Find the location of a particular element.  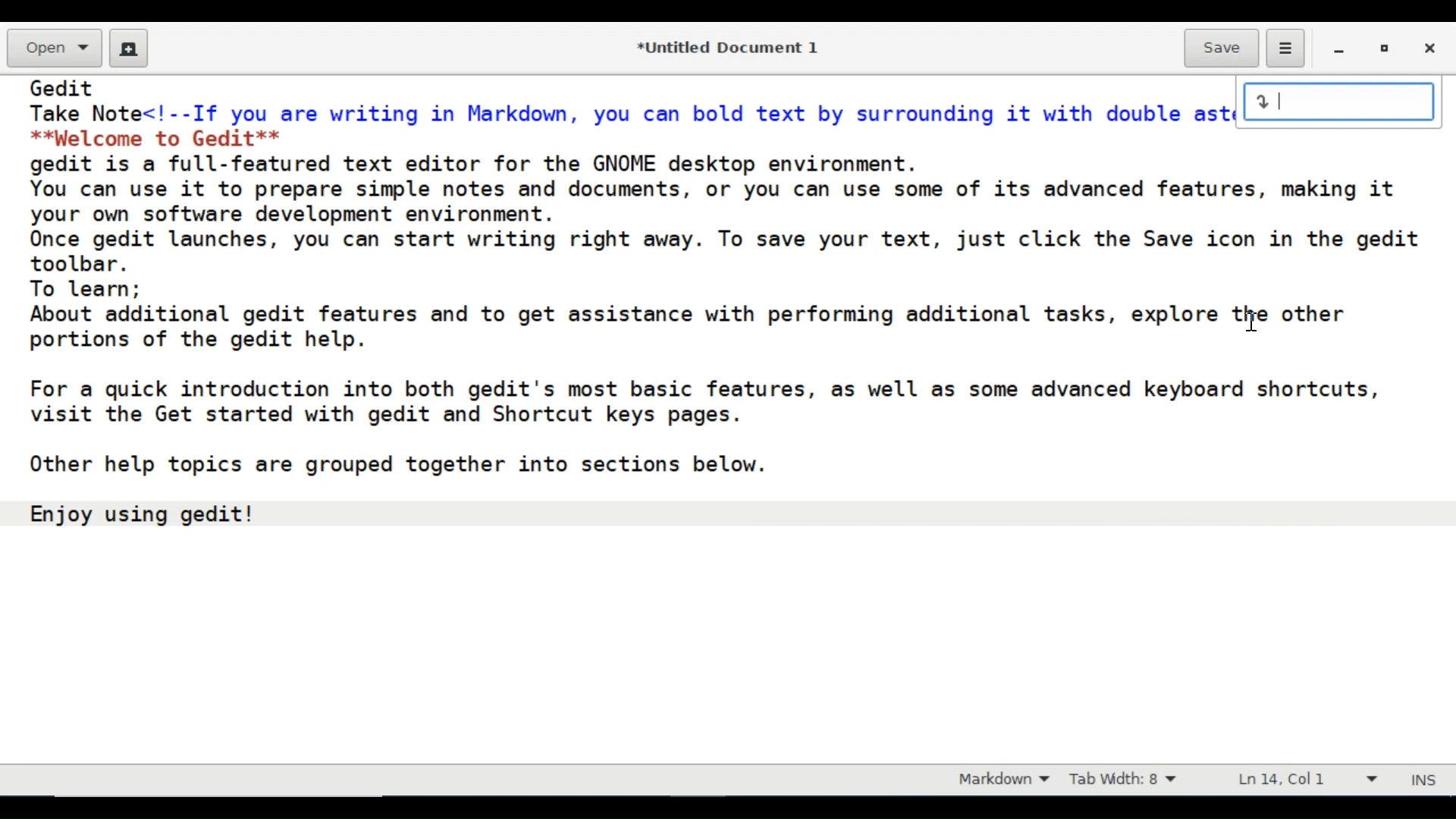

For a quick introduction into both gedit's most basic features, as well as some advanced keyboard shortcuts,
visit the Get started with gedit and Shortcut keys pages. is located at coordinates (705, 402).